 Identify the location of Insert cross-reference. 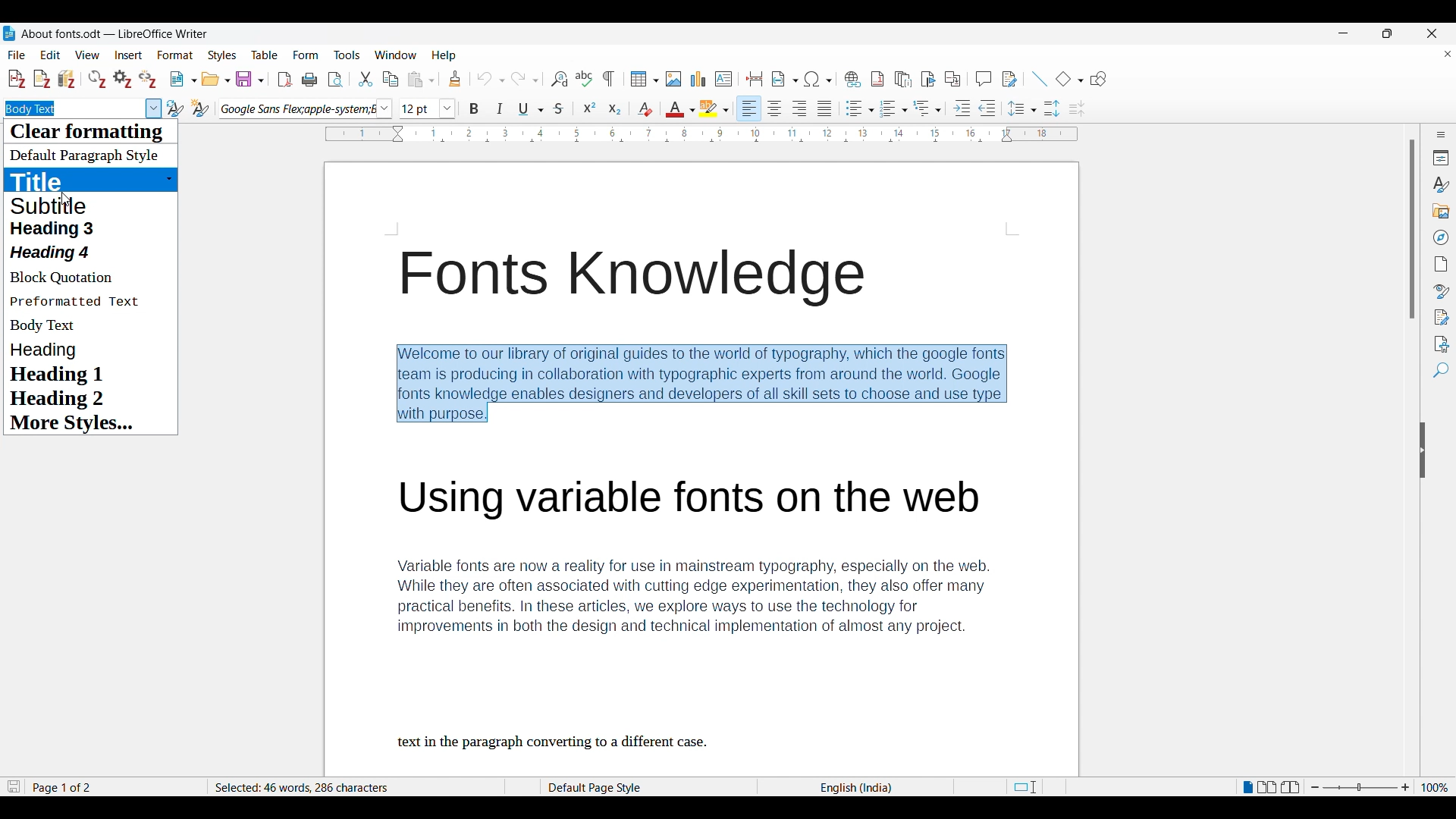
(953, 79).